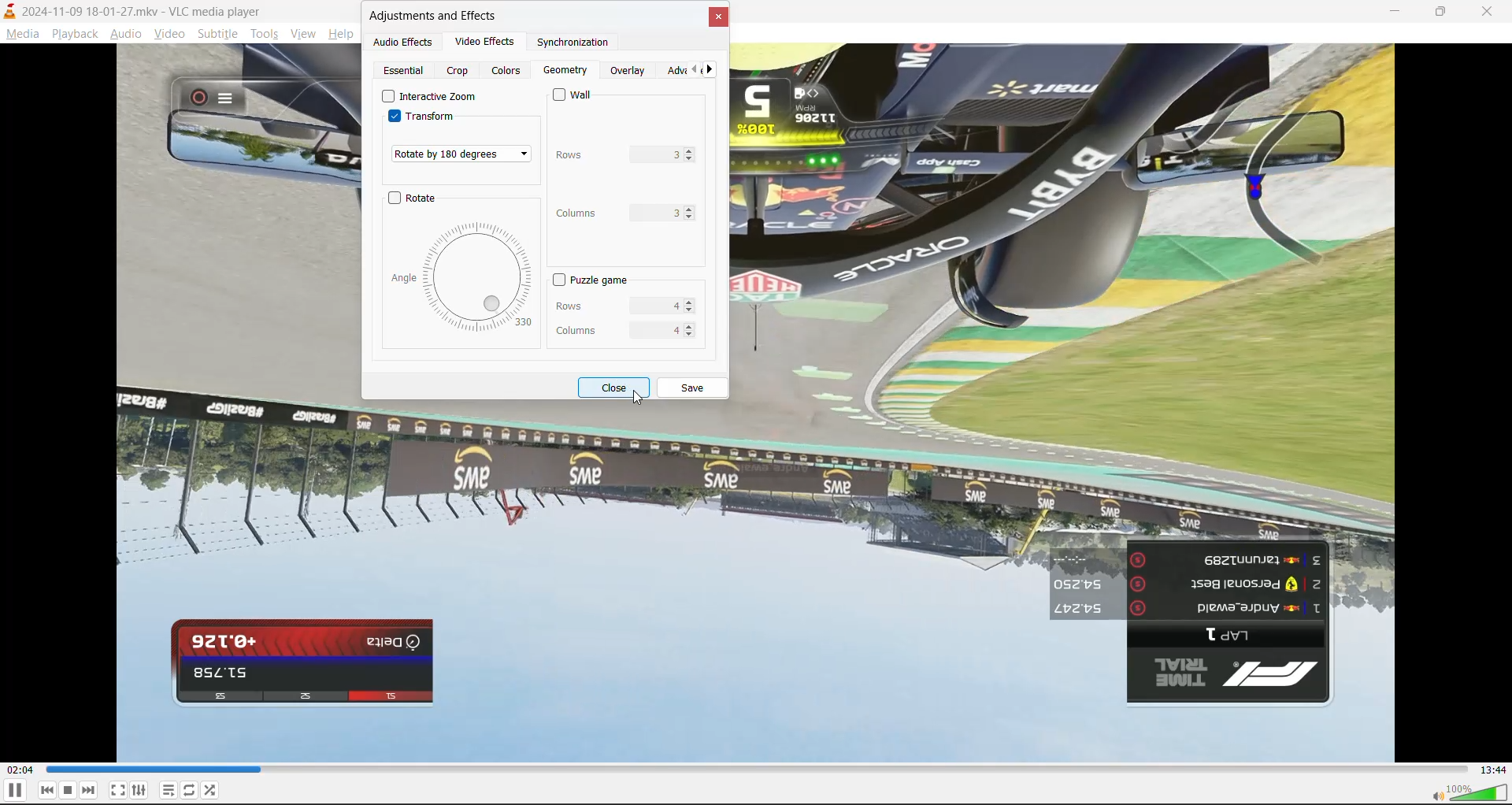 This screenshot has height=805, width=1512. What do you see at coordinates (187, 792) in the screenshot?
I see `loop` at bounding box center [187, 792].